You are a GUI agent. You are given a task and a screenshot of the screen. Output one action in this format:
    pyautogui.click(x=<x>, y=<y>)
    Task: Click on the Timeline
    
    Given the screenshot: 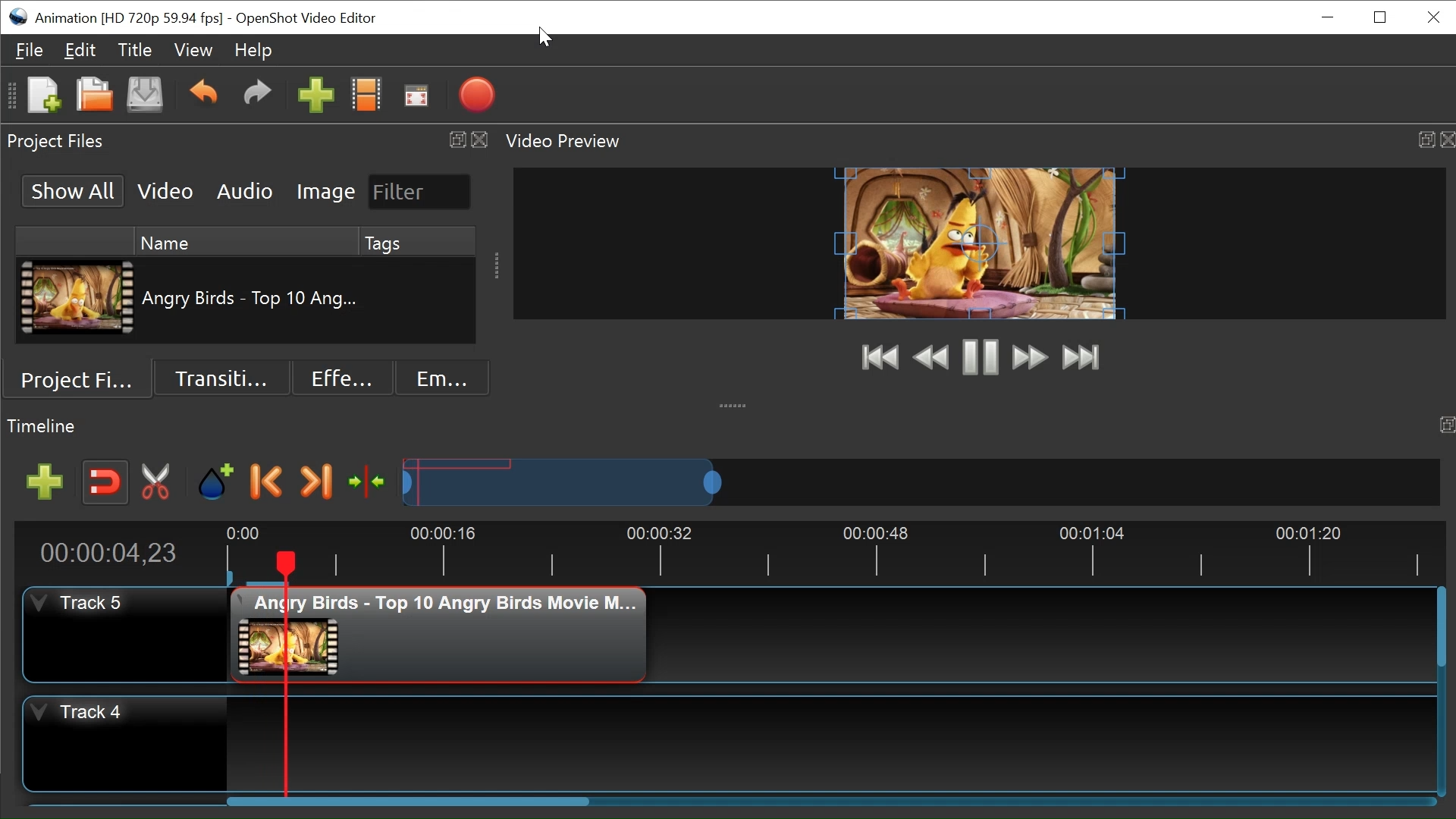 What is the action you would take?
    pyautogui.click(x=825, y=553)
    